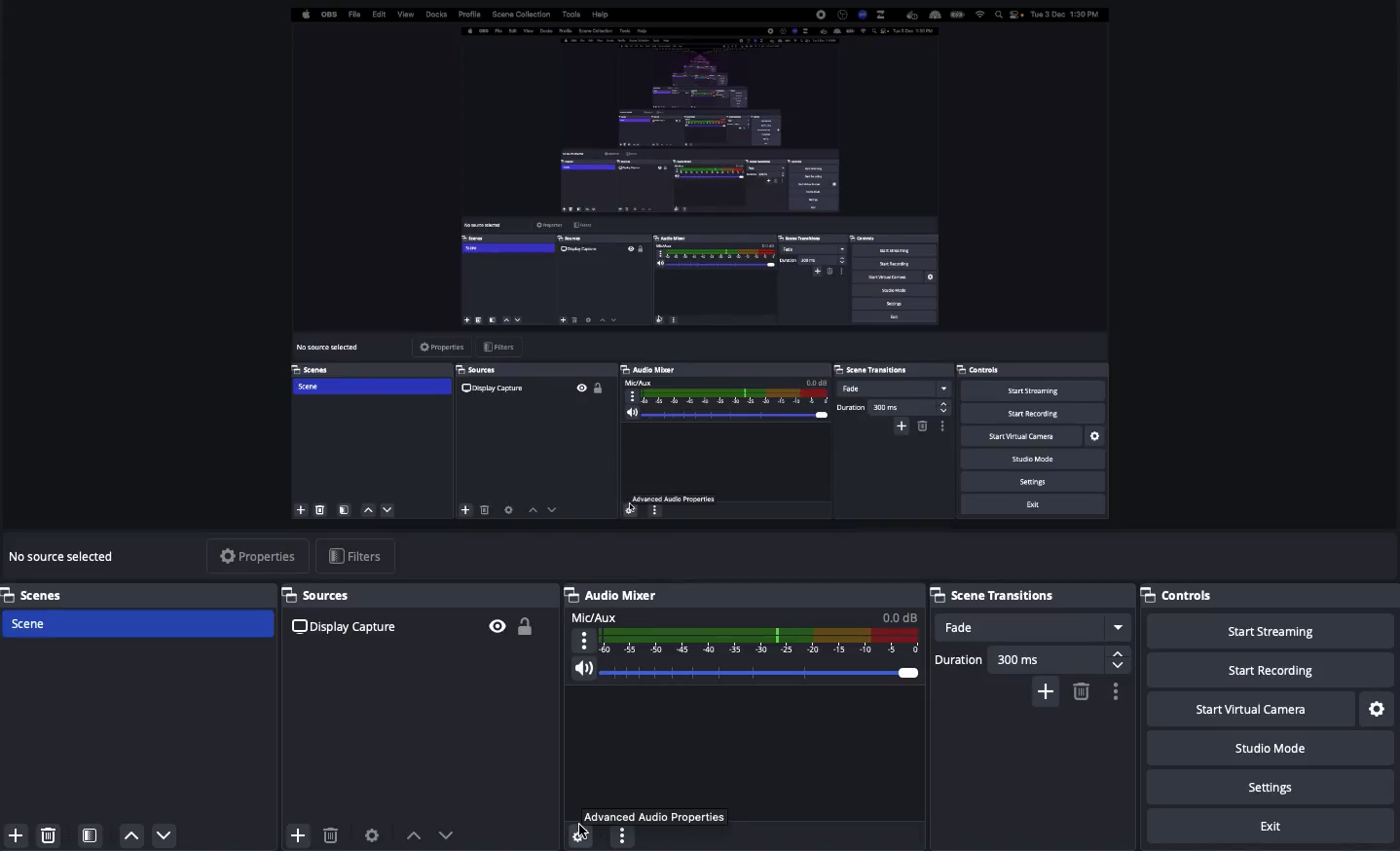 This screenshot has width=1400, height=851. Describe the element at coordinates (745, 672) in the screenshot. I see `Volume` at that location.